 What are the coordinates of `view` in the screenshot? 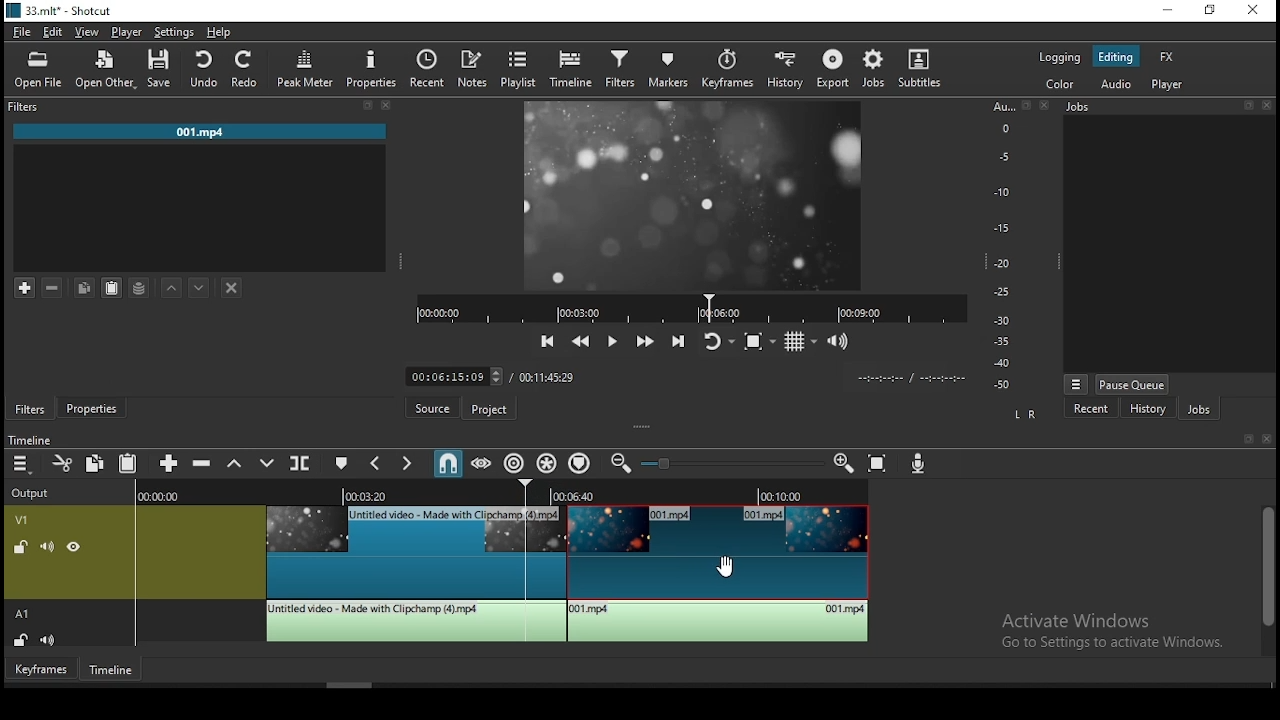 It's located at (91, 31).